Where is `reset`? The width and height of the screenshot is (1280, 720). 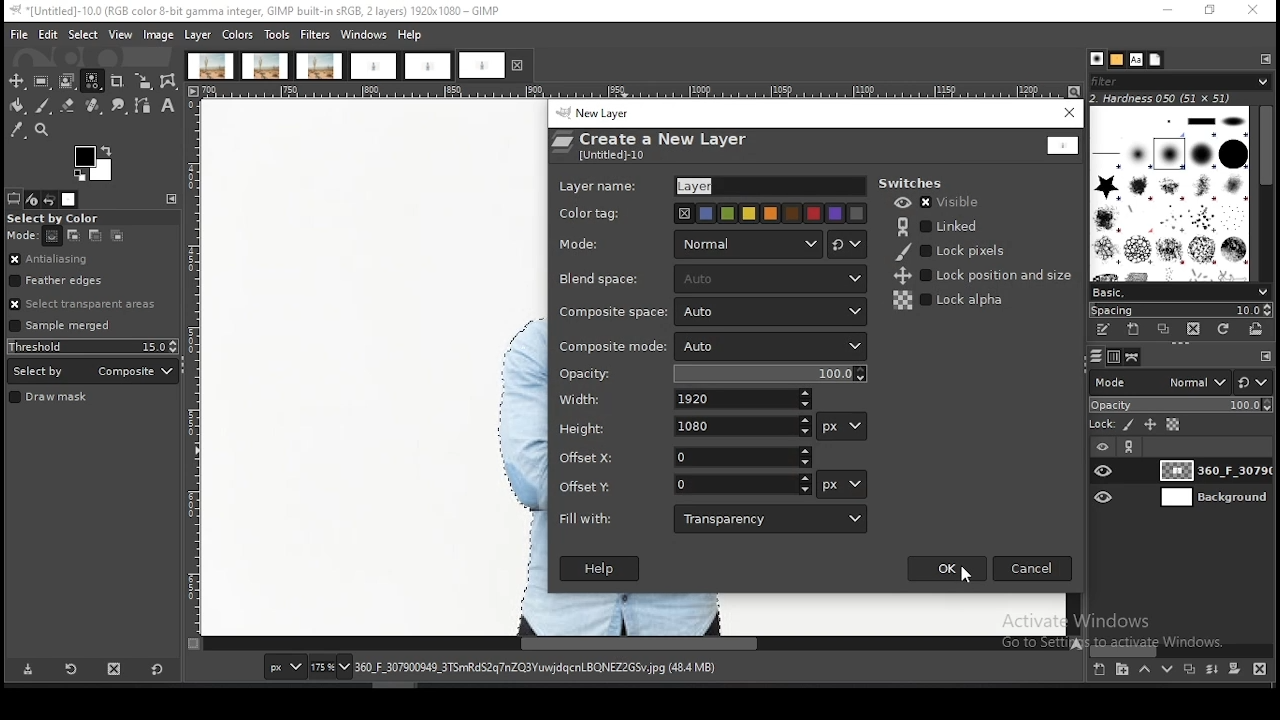
reset is located at coordinates (848, 244).